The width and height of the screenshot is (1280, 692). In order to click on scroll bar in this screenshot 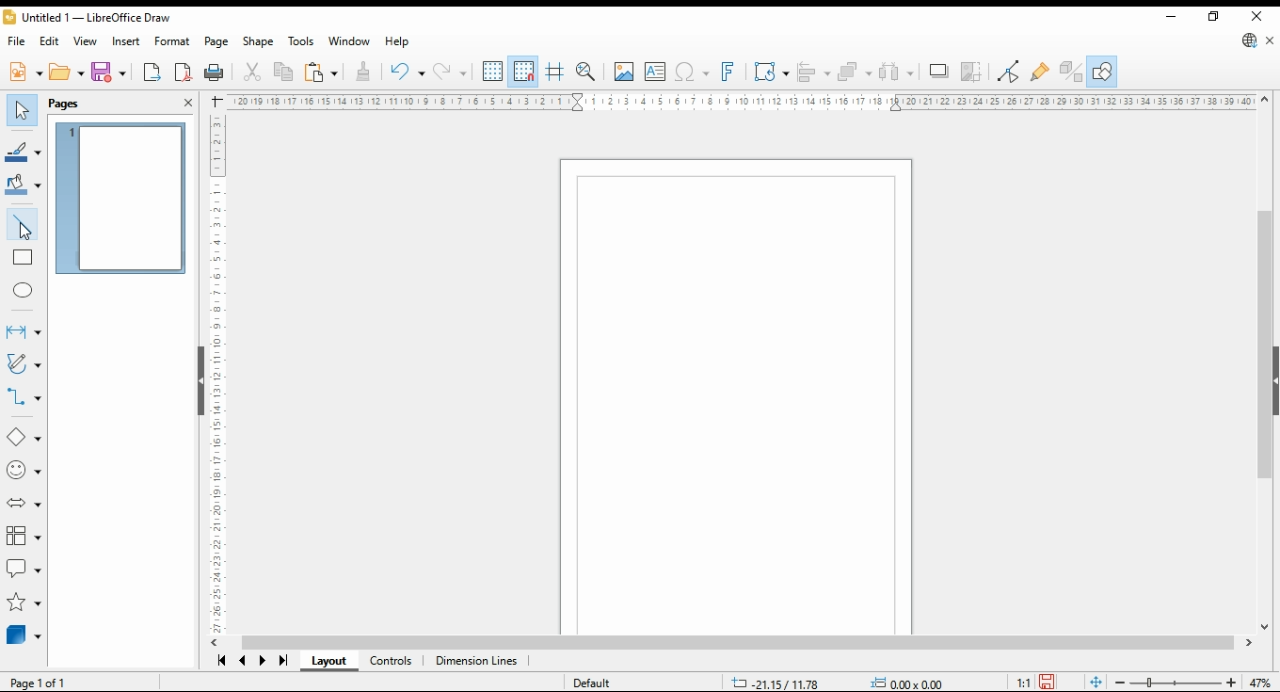, I will do `click(738, 645)`.